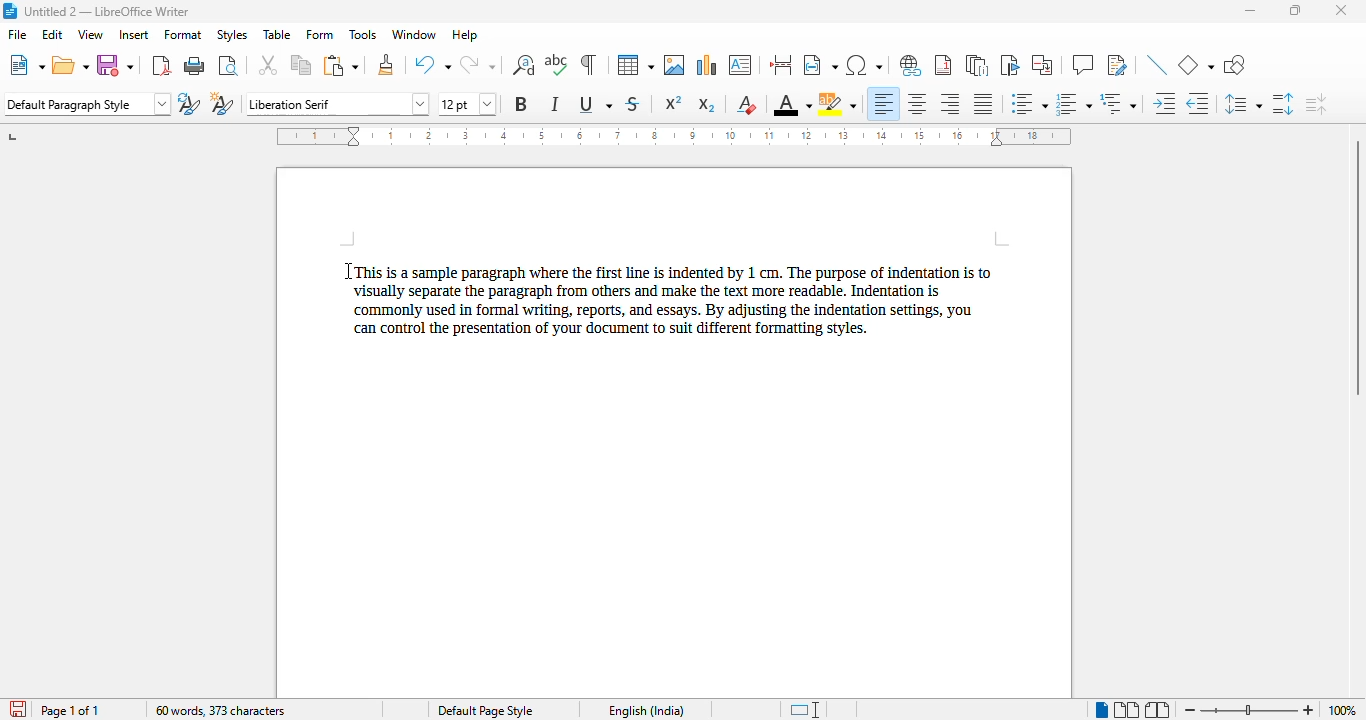 This screenshot has width=1366, height=720. Describe the element at coordinates (589, 65) in the screenshot. I see `toggle formatting marks` at that location.